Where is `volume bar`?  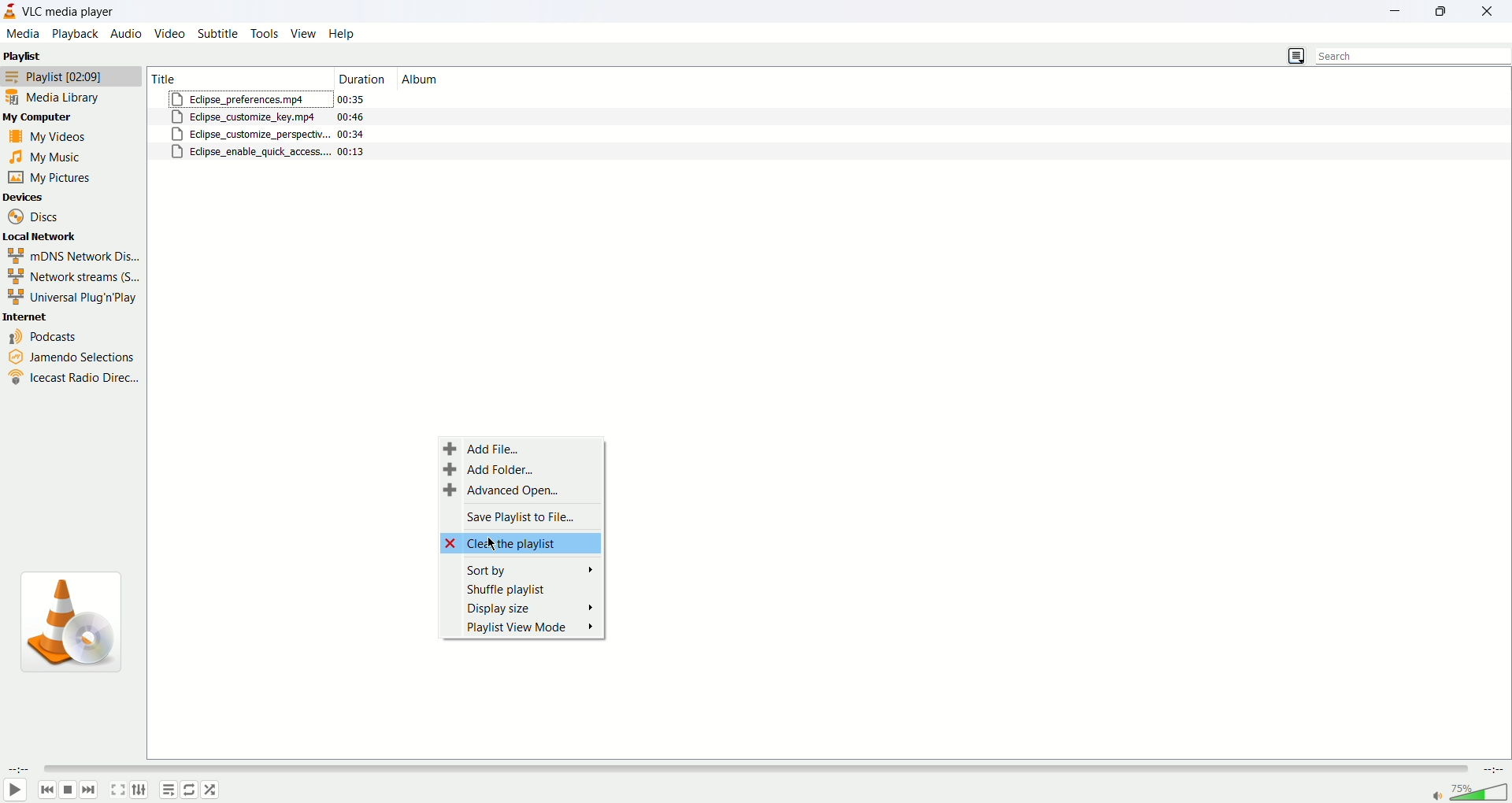
volume bar is located at coordinates (1480, 793).